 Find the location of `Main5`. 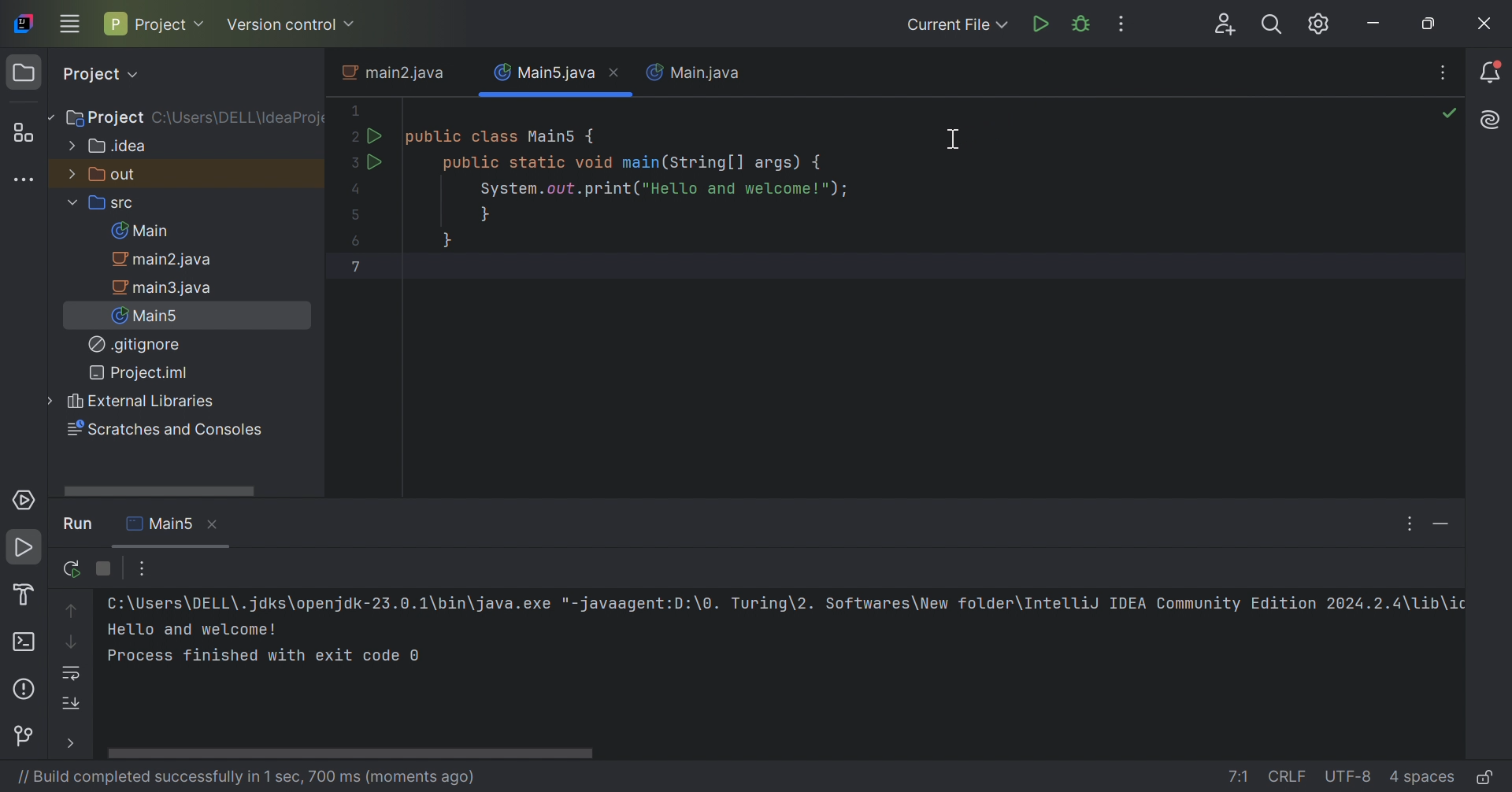

Main5 is located at coordinates (161, 523).